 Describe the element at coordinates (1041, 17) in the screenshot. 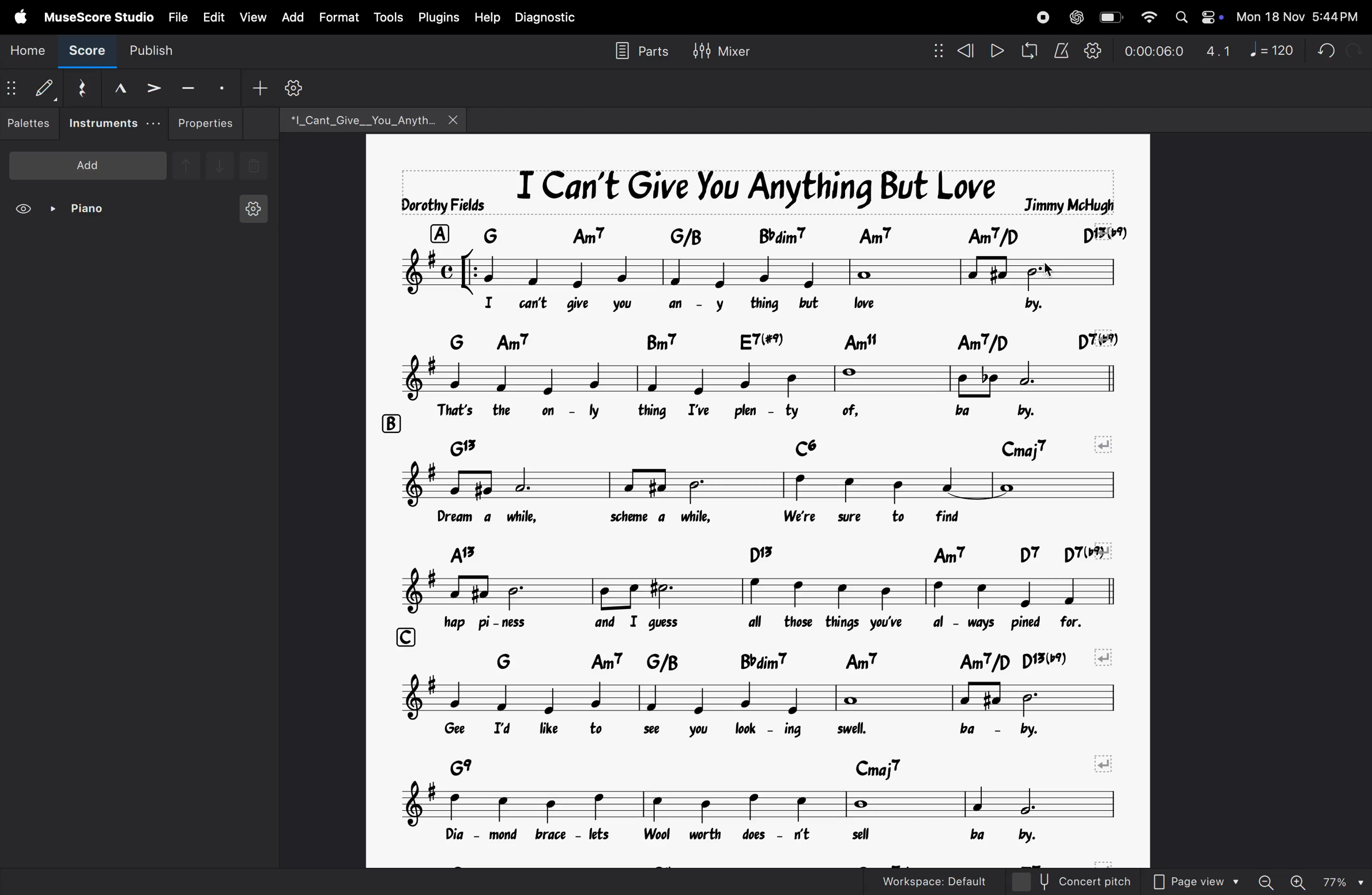

I see `record` at that location.